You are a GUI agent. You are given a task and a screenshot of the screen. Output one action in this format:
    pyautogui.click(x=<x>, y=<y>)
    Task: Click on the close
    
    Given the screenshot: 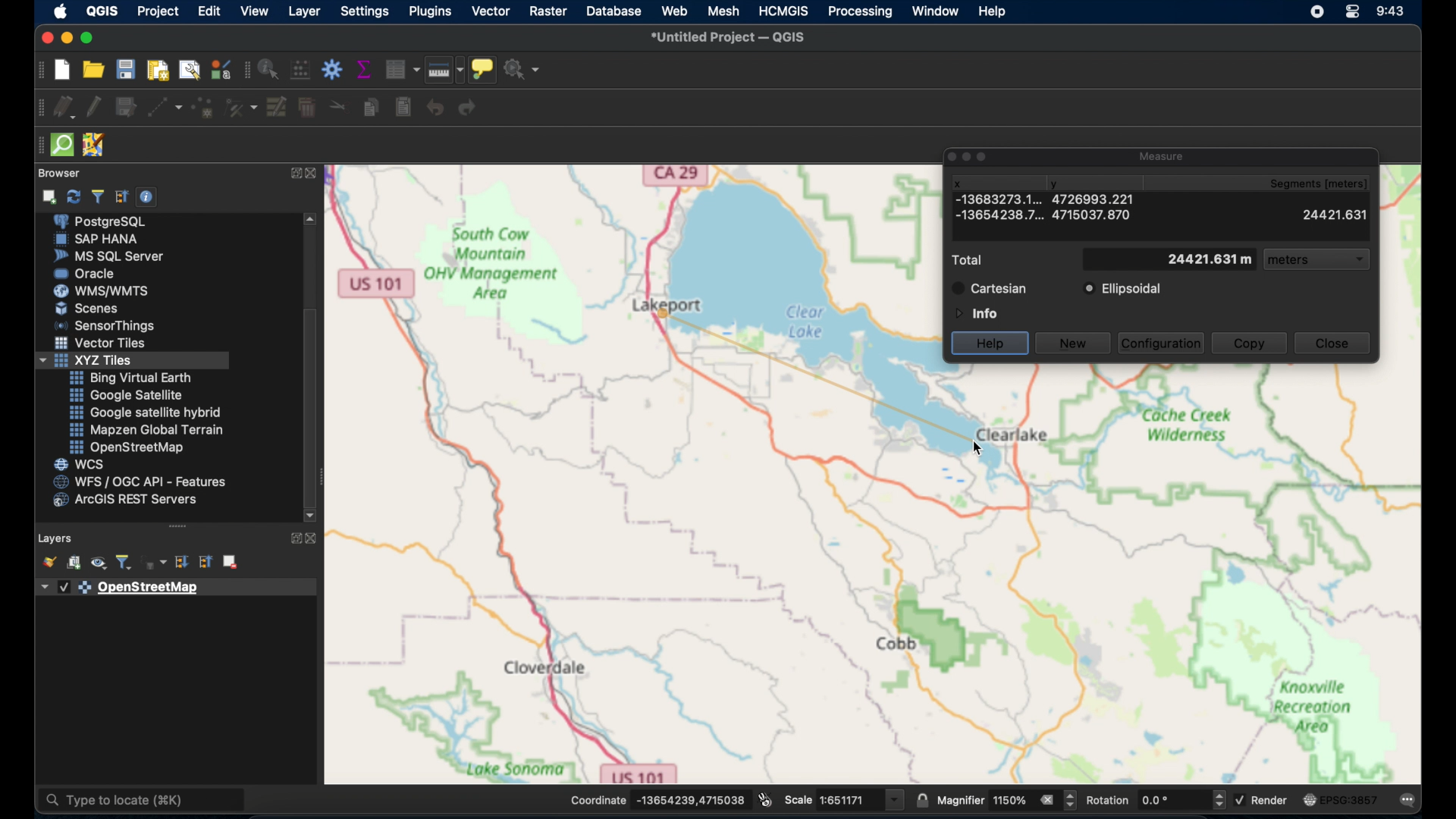 What is the action you would take?
    pyautogui.click(x=313, y=538)
    